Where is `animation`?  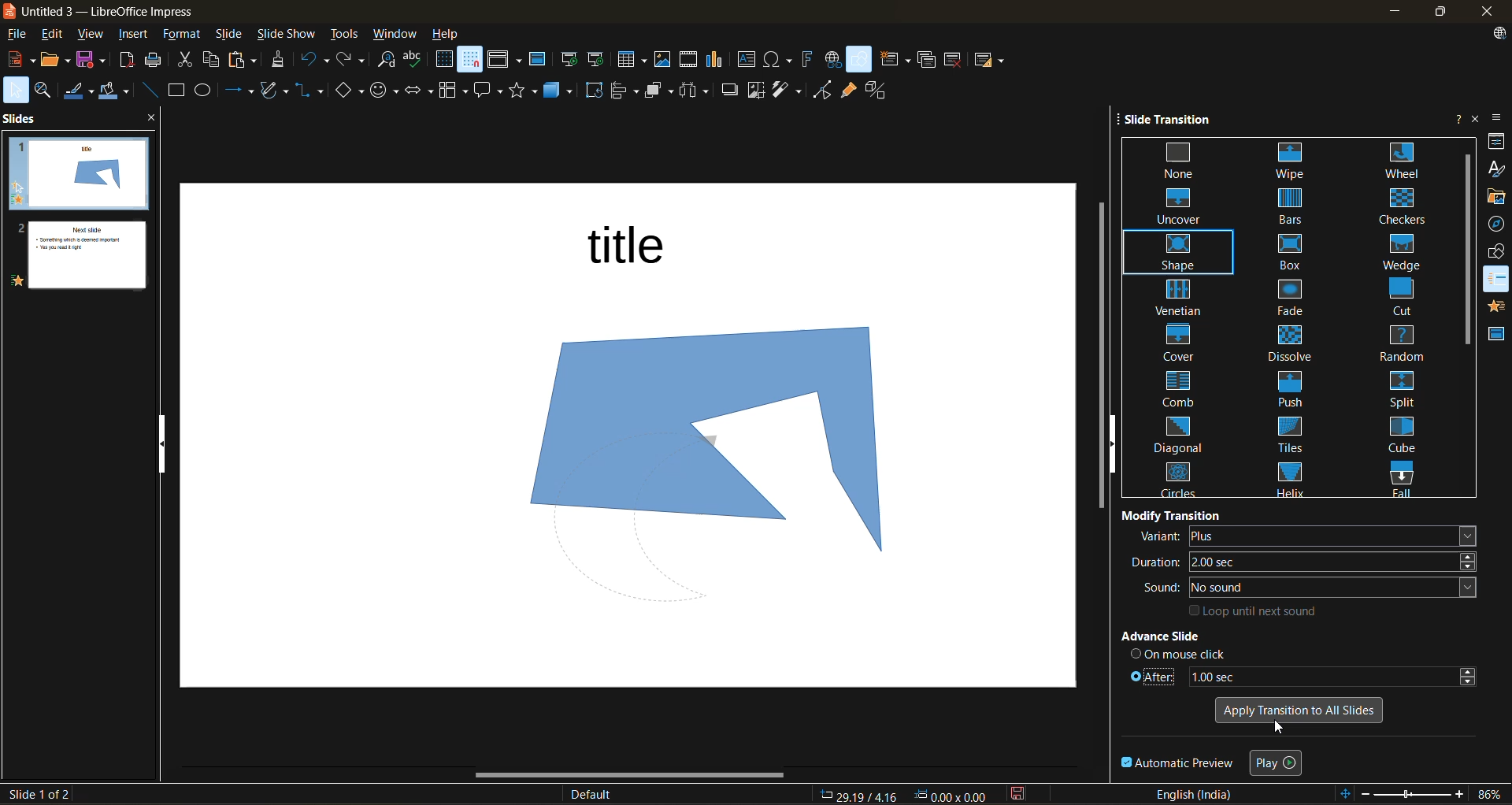
animation is located at coordinates (1496, 309).